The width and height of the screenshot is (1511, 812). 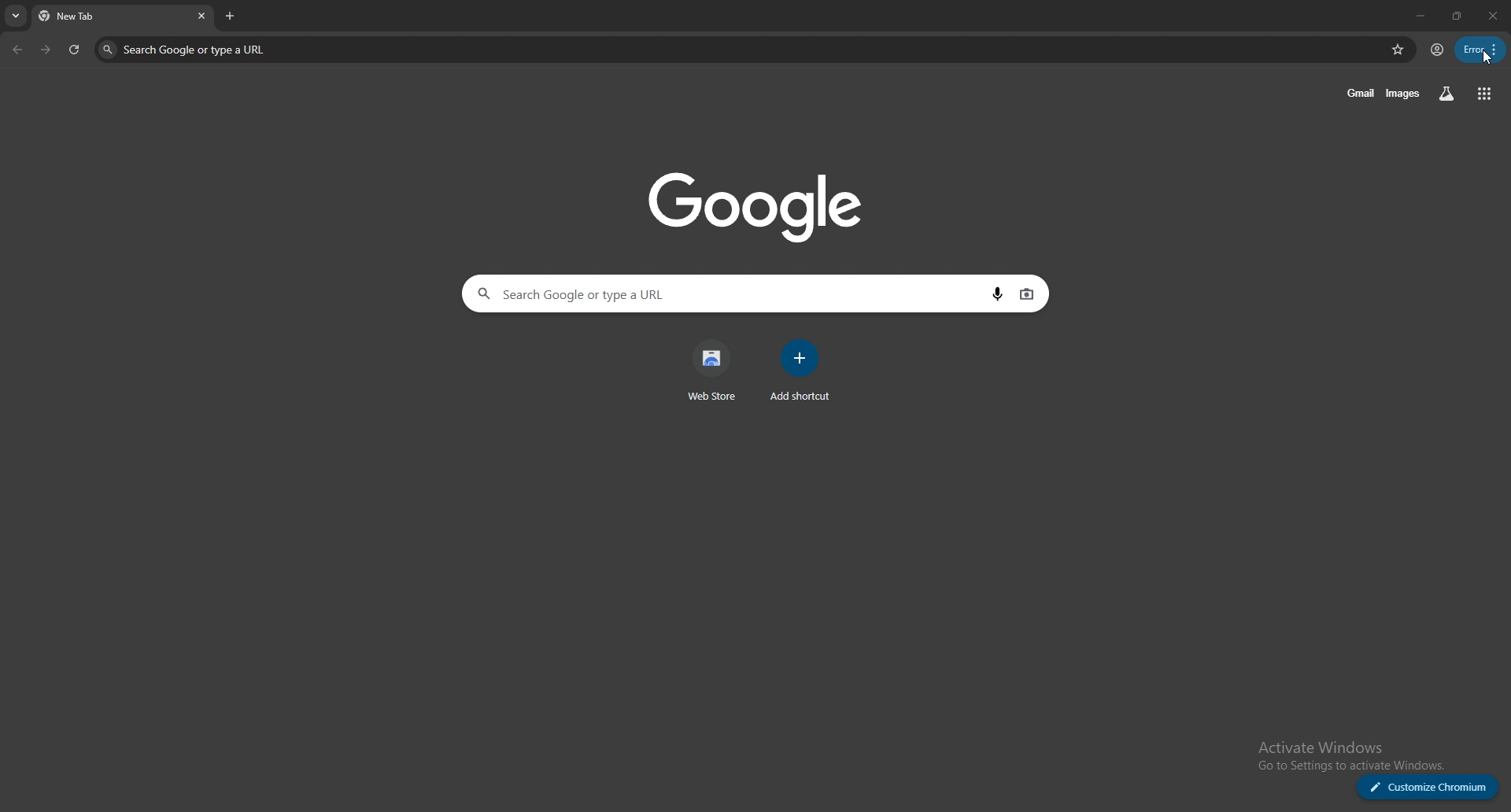 I want to click on close, so click(x=1491, y=16).